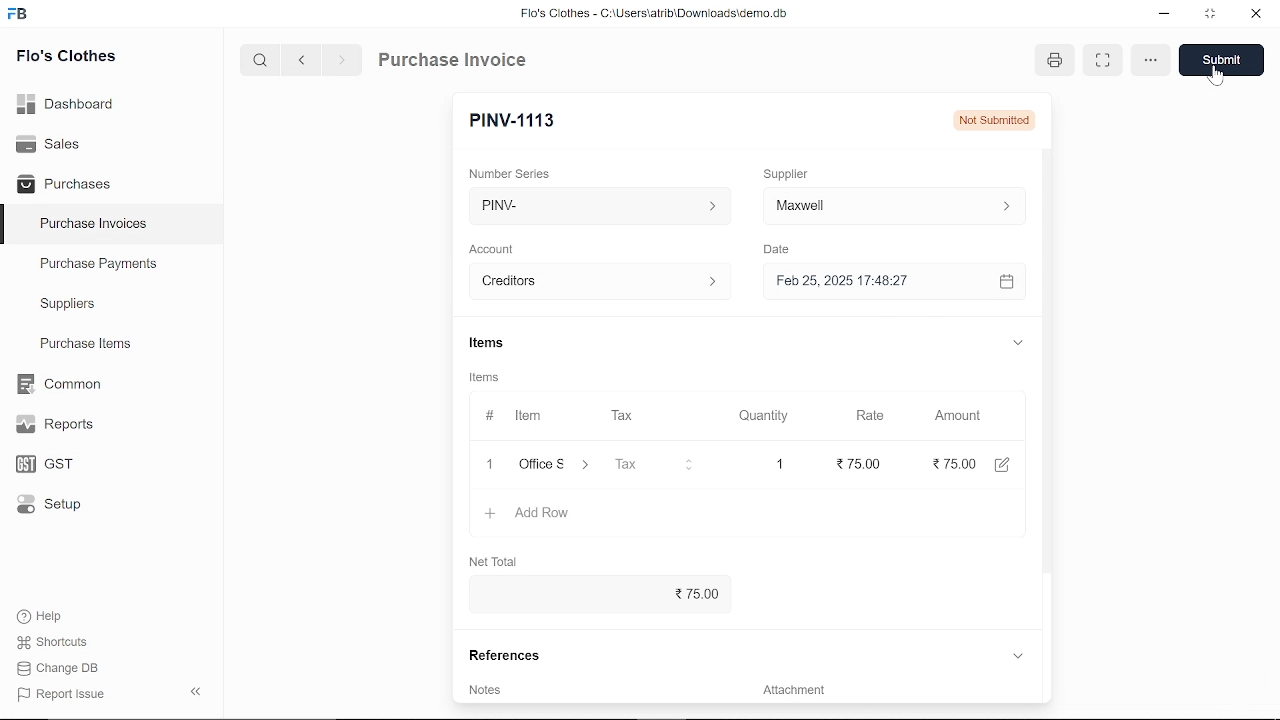  What do you see at coordinates (486, 464) in the screenshot?
I see `close` at bounding box center [486, 464].